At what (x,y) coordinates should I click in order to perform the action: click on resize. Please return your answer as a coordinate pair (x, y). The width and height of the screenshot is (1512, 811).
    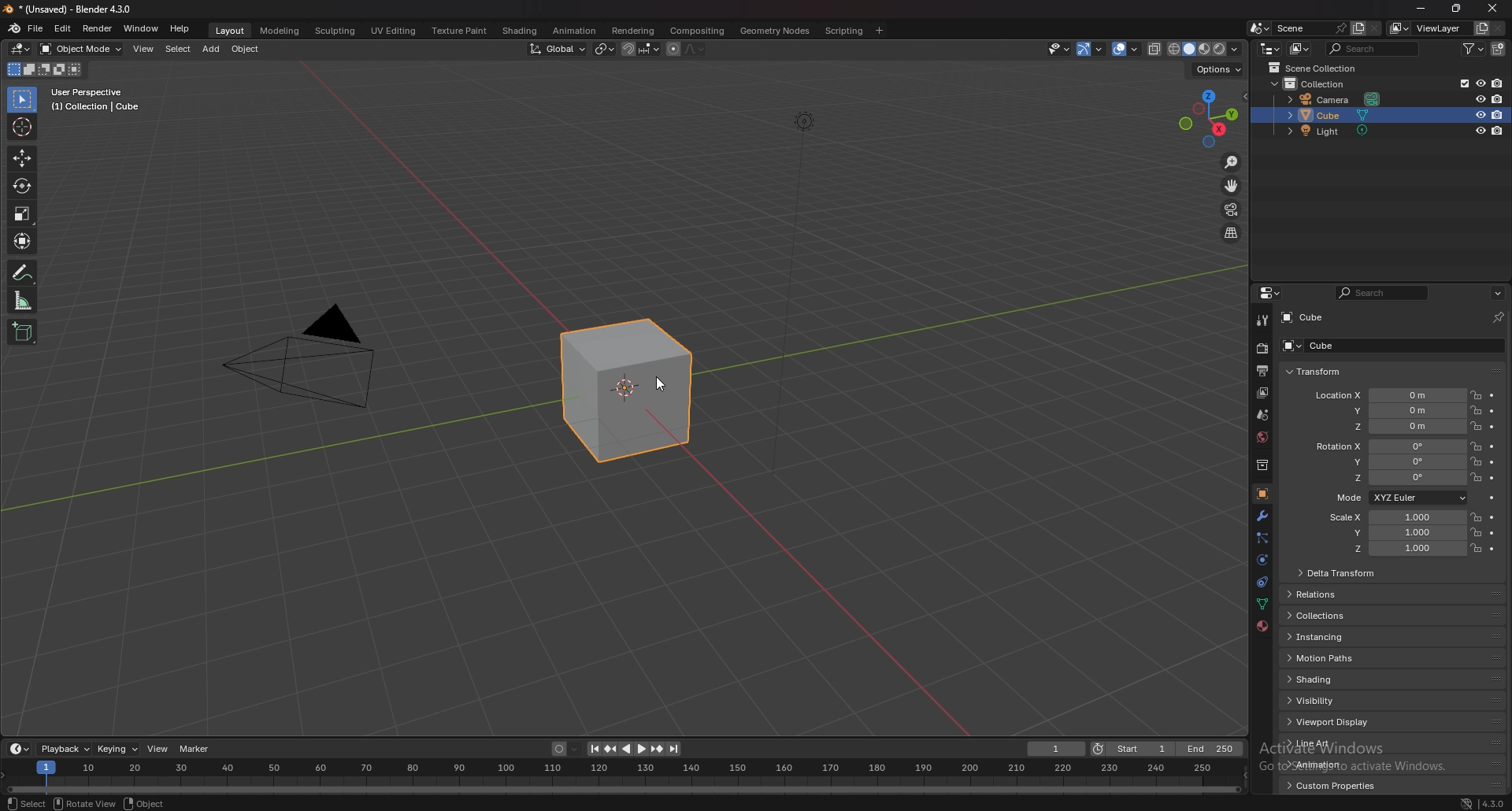
    Looking at the image, I should click on (1457, 9).